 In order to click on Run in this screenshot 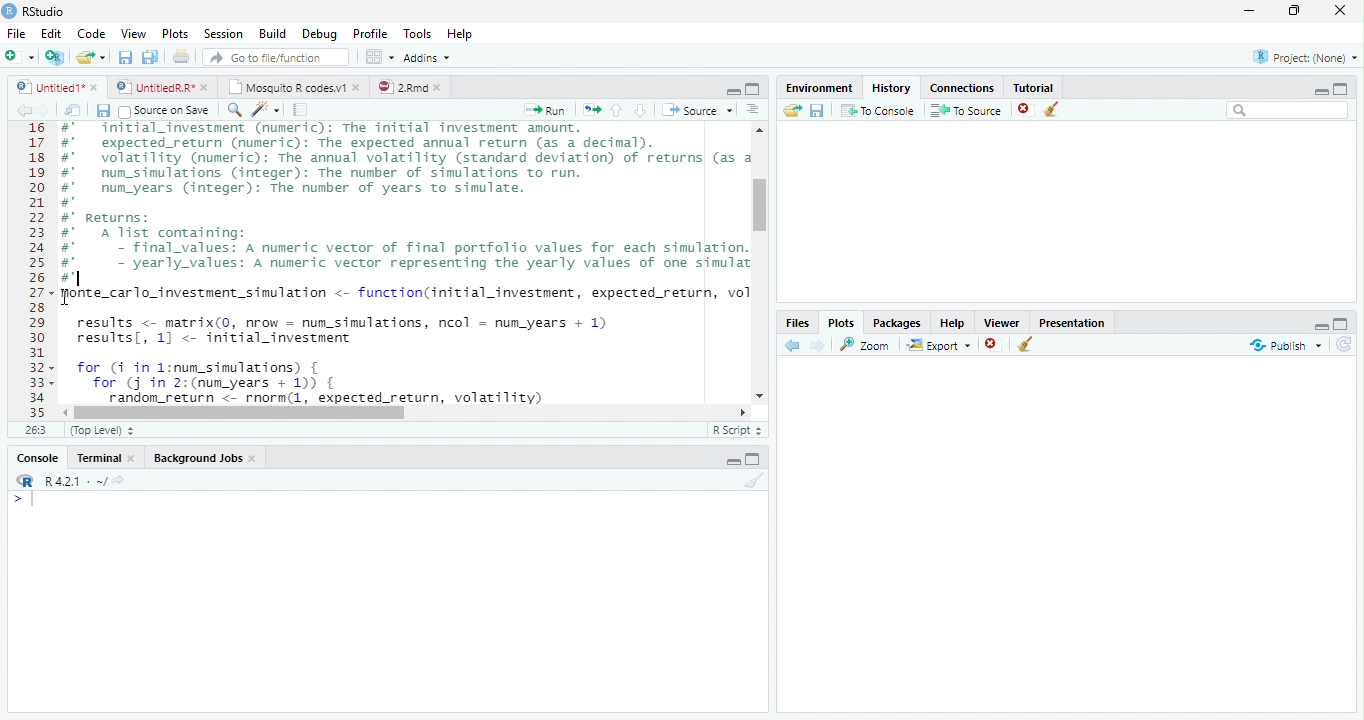, I will do `click(546, 110)`.